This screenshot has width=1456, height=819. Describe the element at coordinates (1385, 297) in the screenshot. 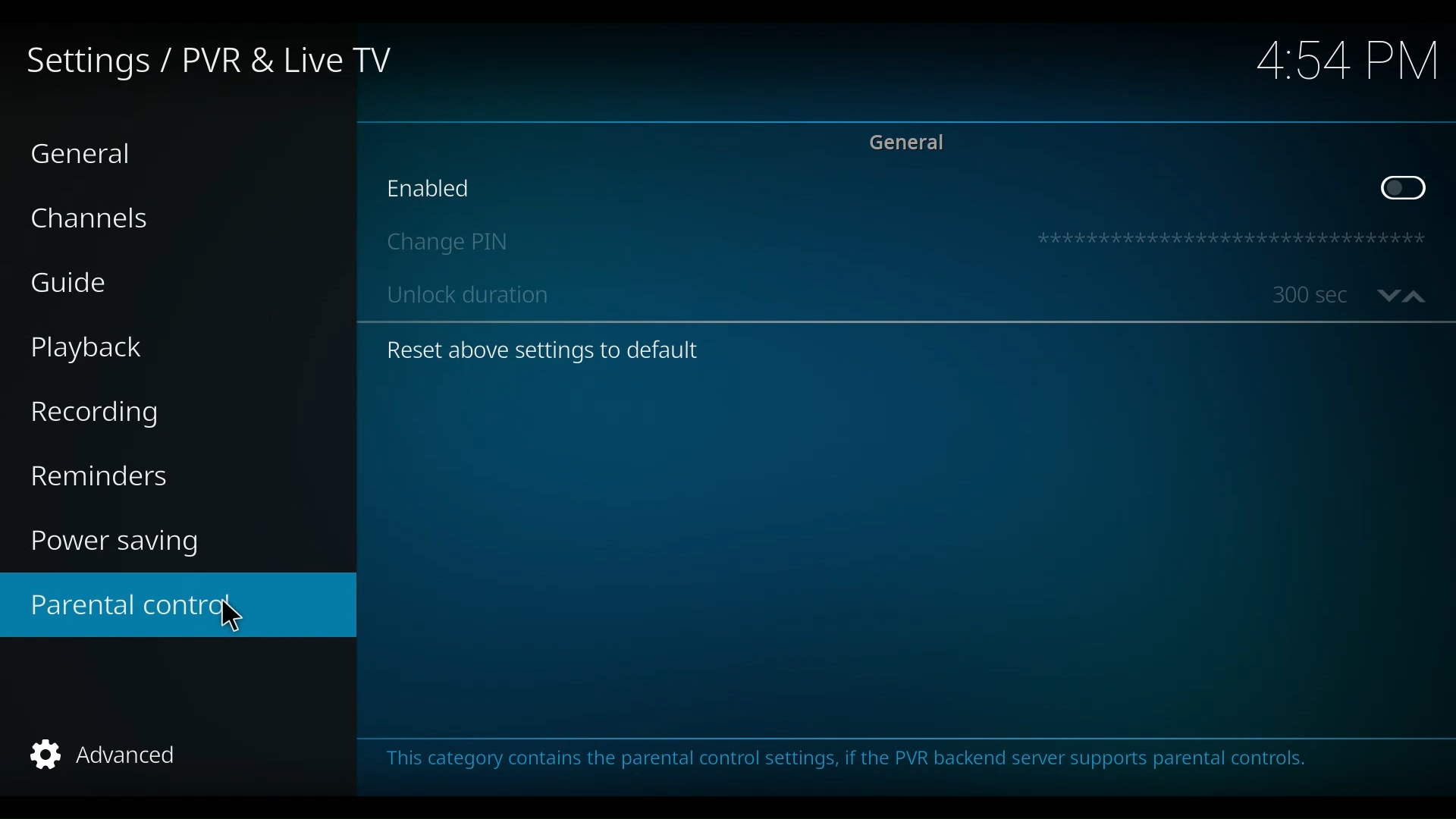

I see `Go down` at that location.